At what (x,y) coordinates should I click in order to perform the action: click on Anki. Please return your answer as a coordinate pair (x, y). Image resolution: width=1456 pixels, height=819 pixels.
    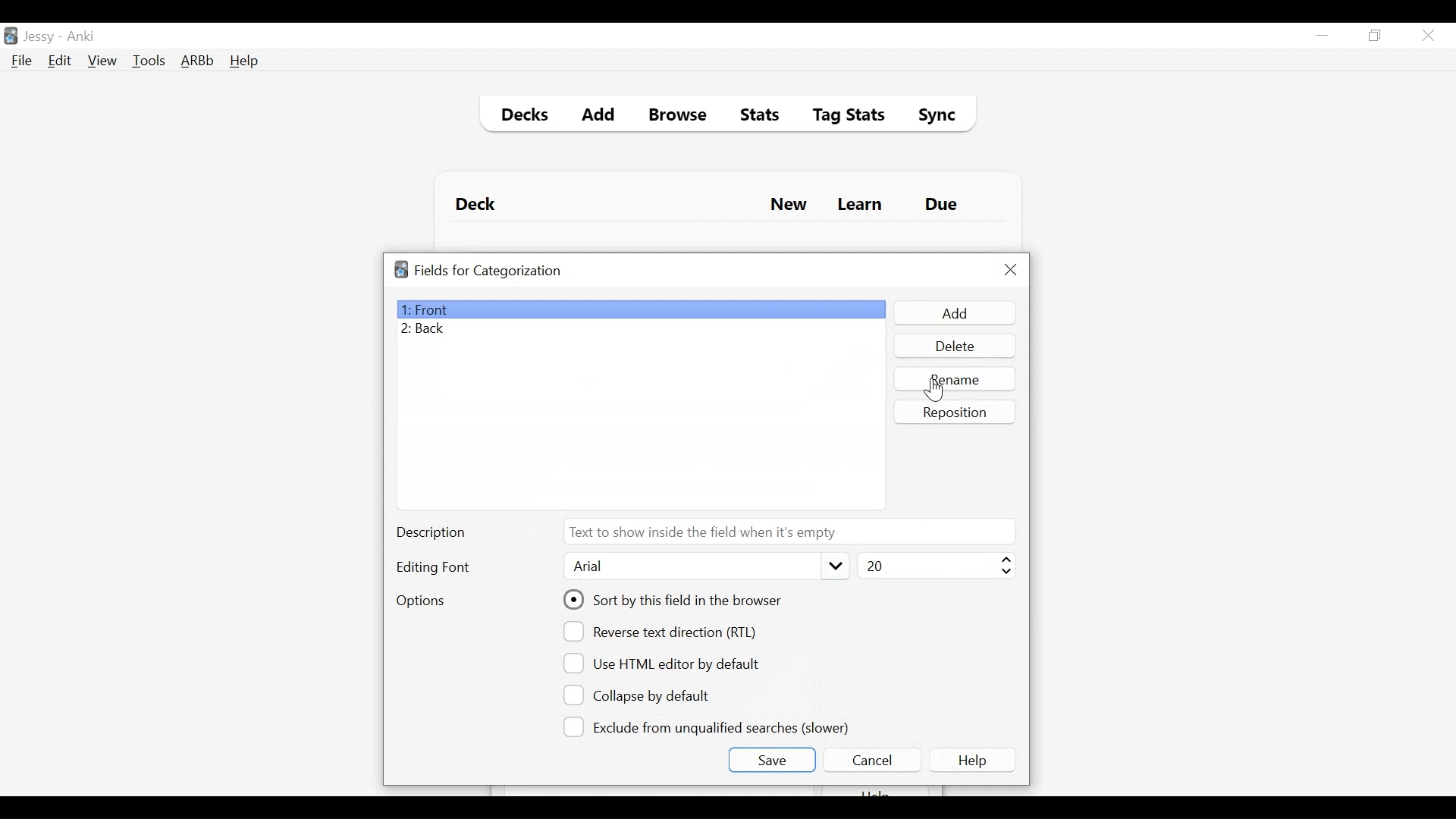
    Looking at the image, I should click on (81, 36).